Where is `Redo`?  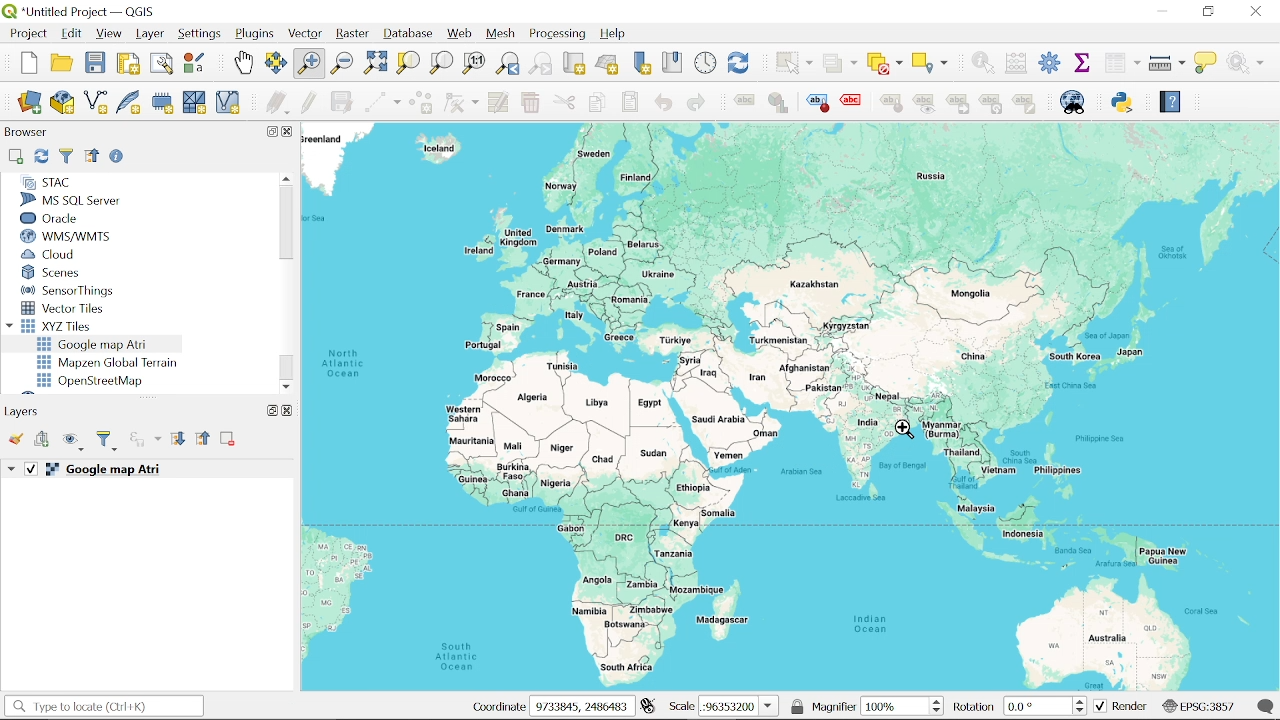
Redo is located at coordinates (695, 104).